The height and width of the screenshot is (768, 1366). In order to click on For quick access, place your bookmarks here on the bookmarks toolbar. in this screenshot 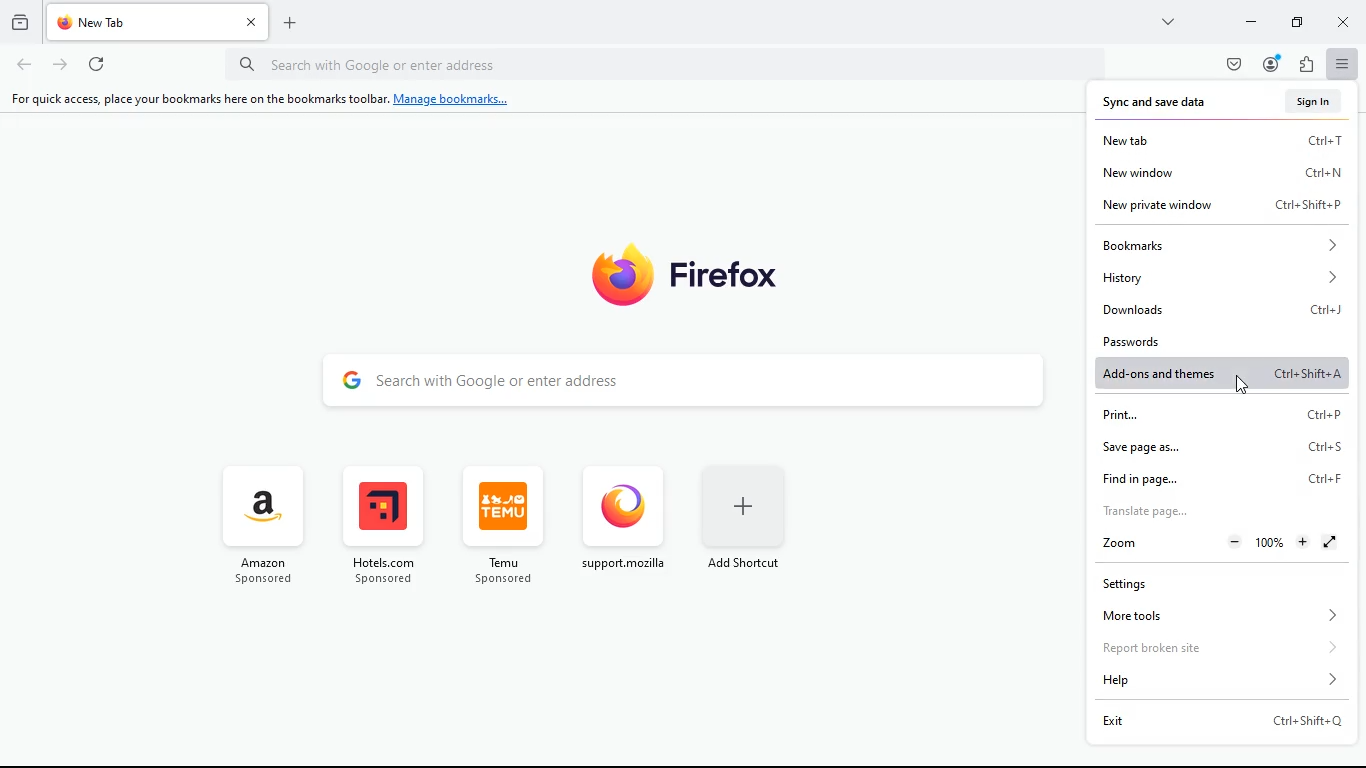, I will do `click(196, 99)`.